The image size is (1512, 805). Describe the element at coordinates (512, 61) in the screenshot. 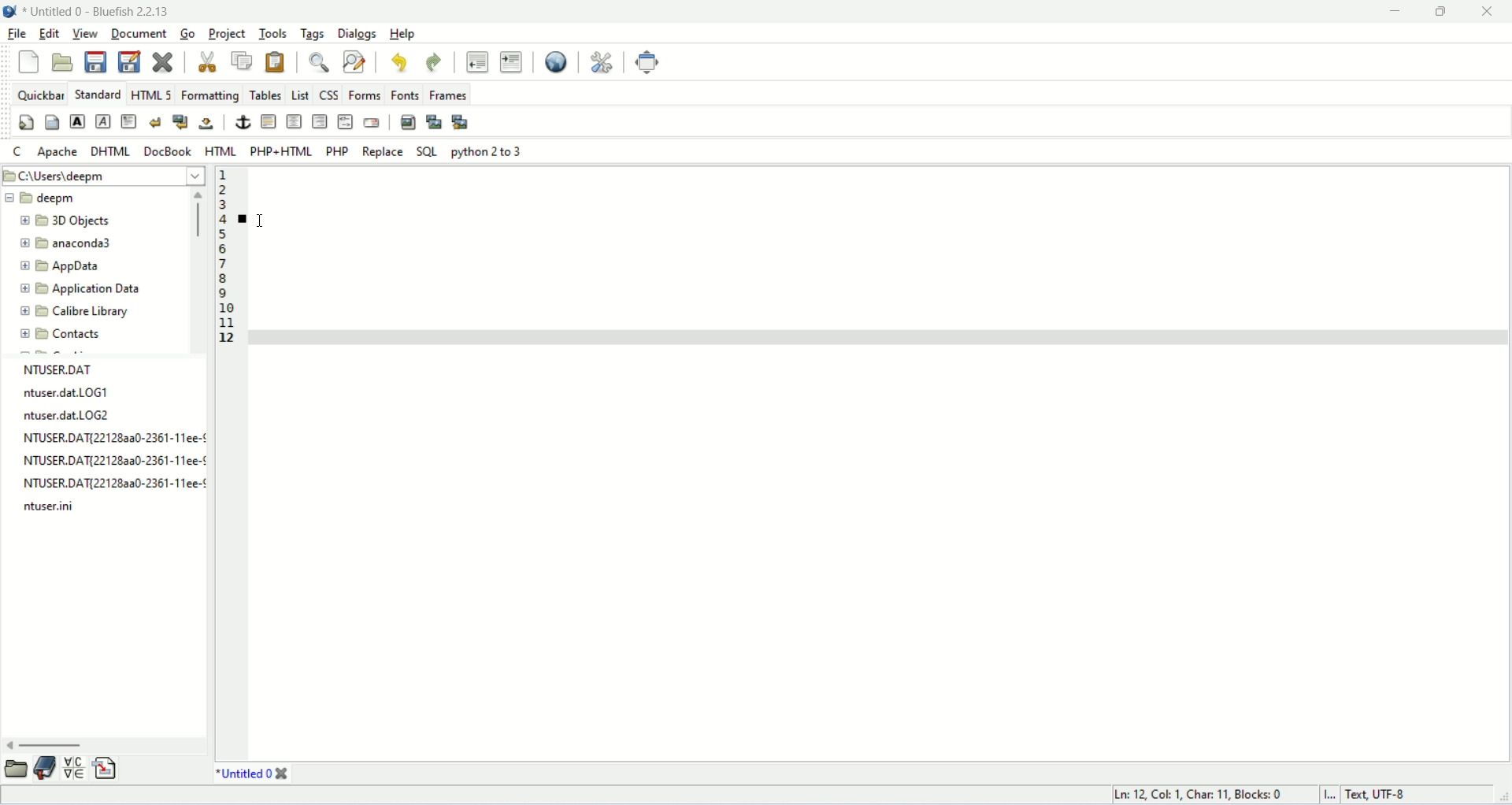

I see `indent` at that location.